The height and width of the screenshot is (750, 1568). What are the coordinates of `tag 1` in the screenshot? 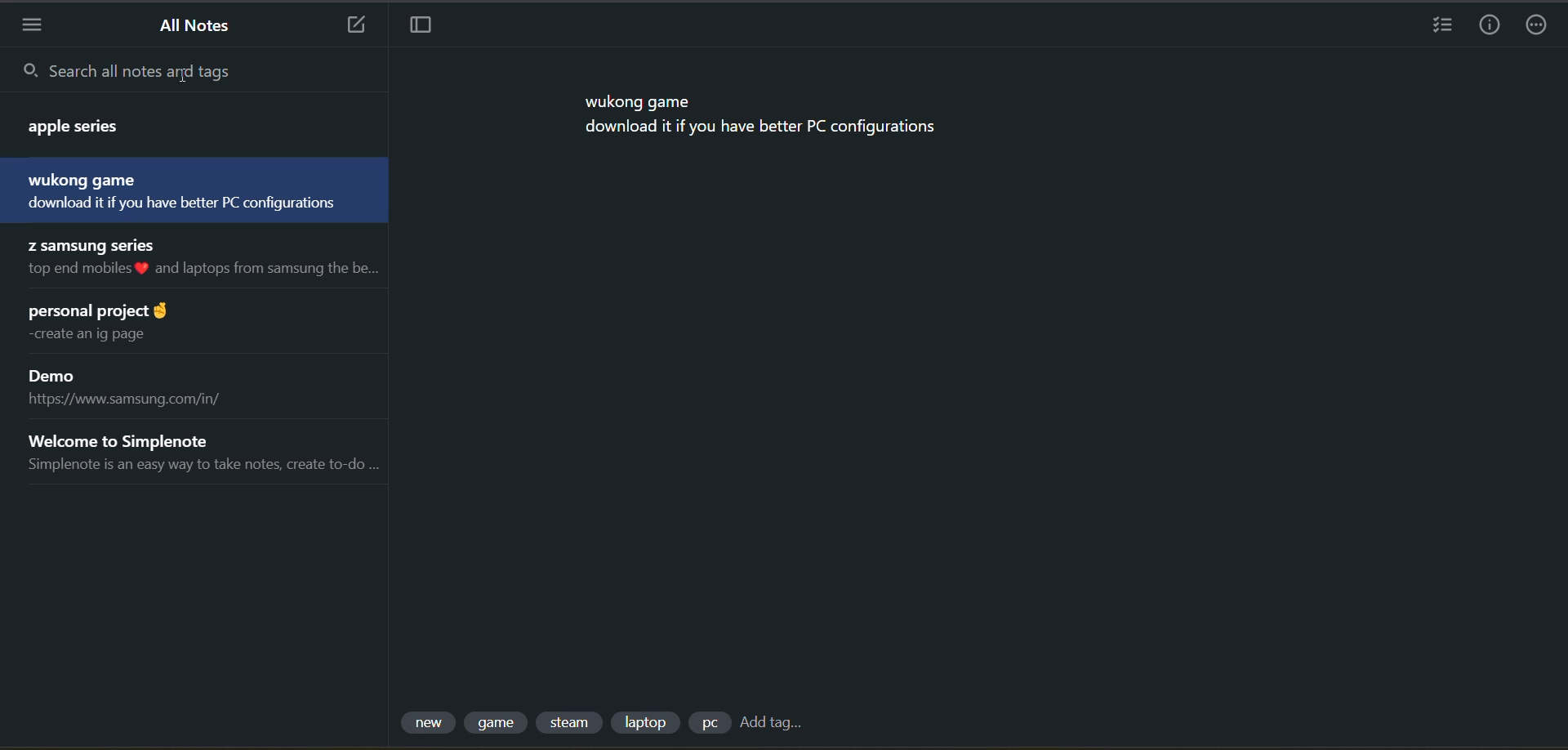 It's located at (426, 721).